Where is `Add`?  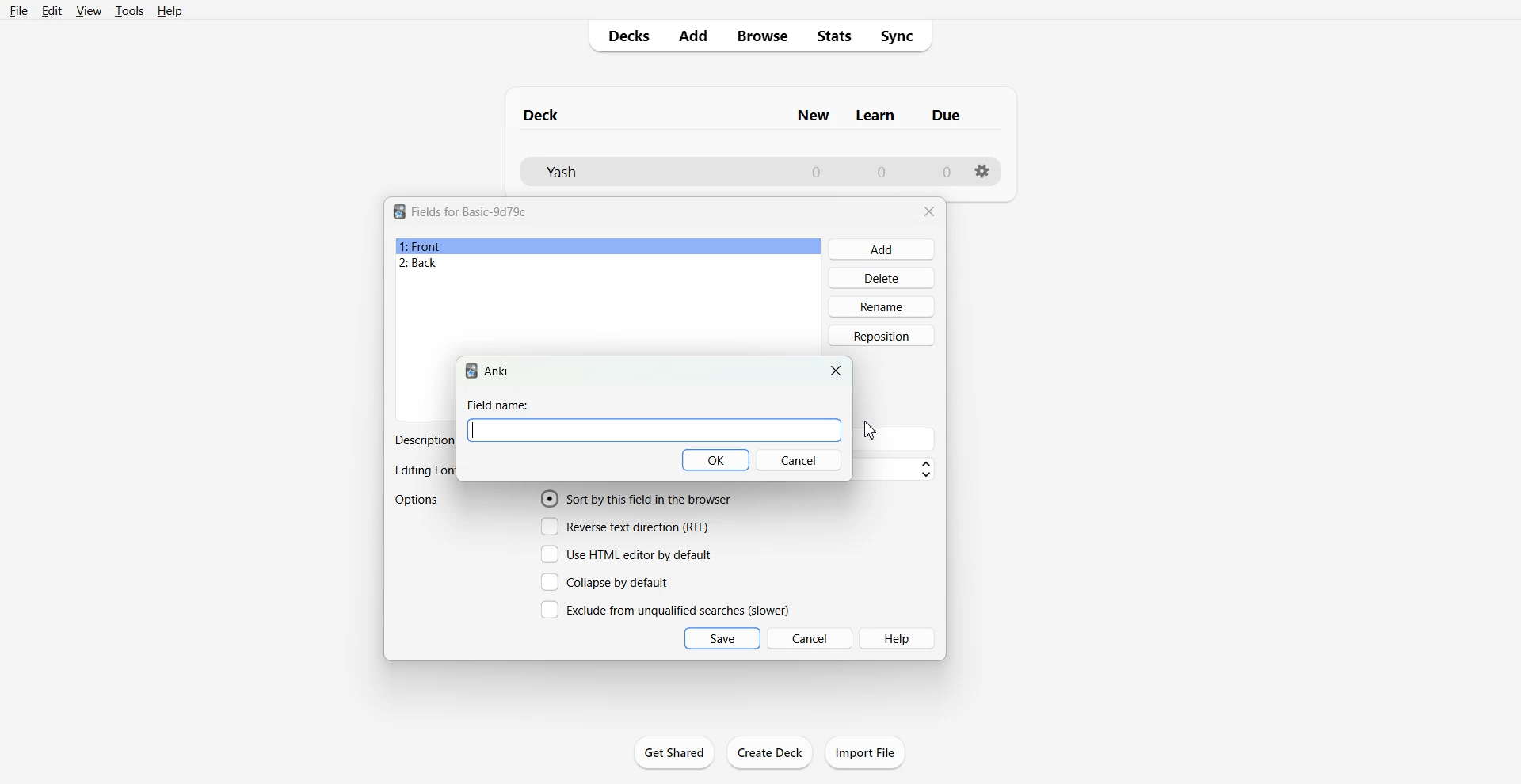 Add is located at coordinates (692, 36).